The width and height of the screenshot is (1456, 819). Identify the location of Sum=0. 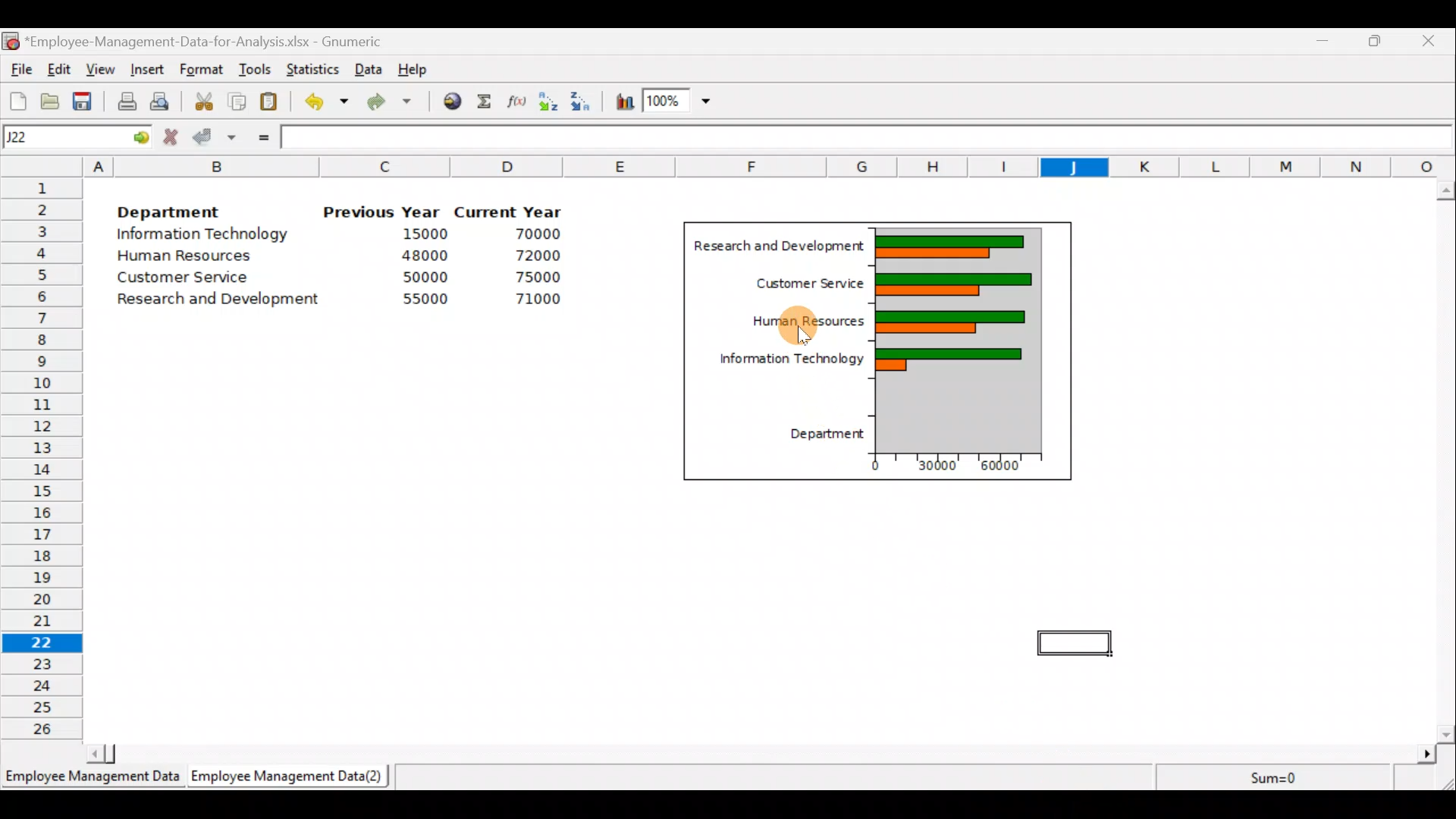
(1279, 774).